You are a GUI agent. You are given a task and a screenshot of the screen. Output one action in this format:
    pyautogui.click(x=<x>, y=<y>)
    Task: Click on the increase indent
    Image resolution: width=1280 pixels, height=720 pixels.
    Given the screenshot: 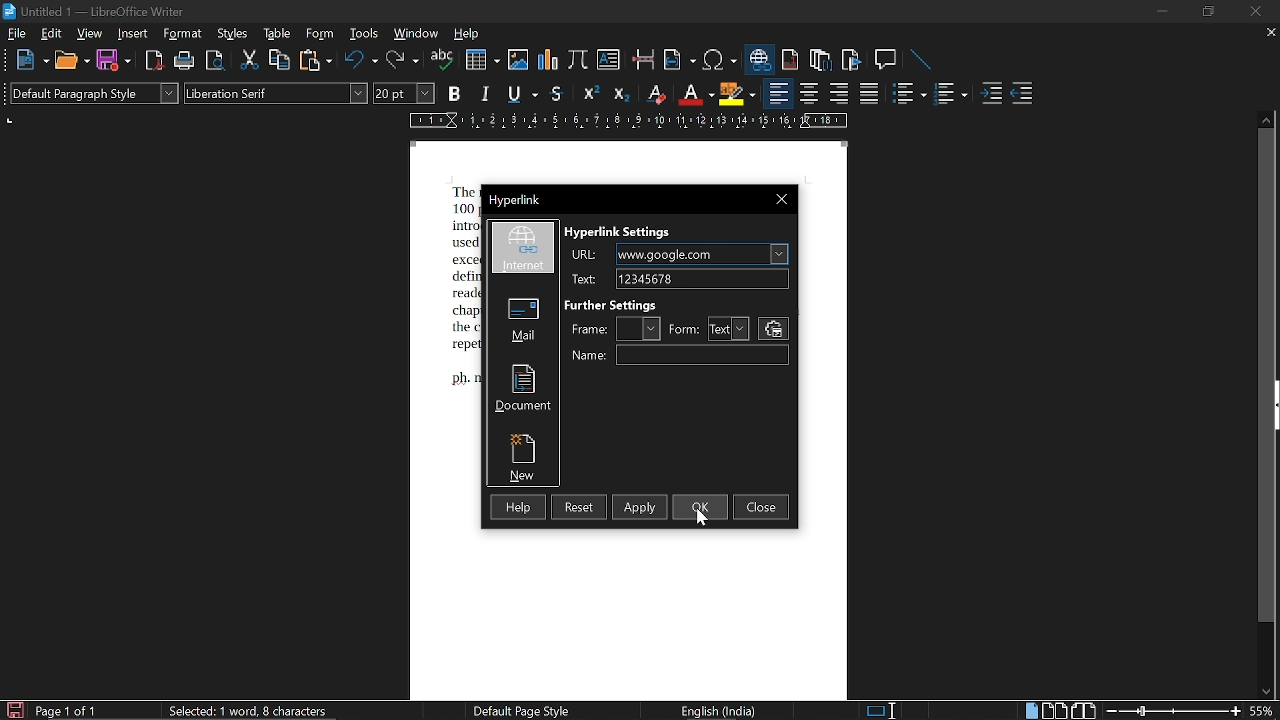 What is the action you would take?
    pyautogui.click(x=992, y=94)
    